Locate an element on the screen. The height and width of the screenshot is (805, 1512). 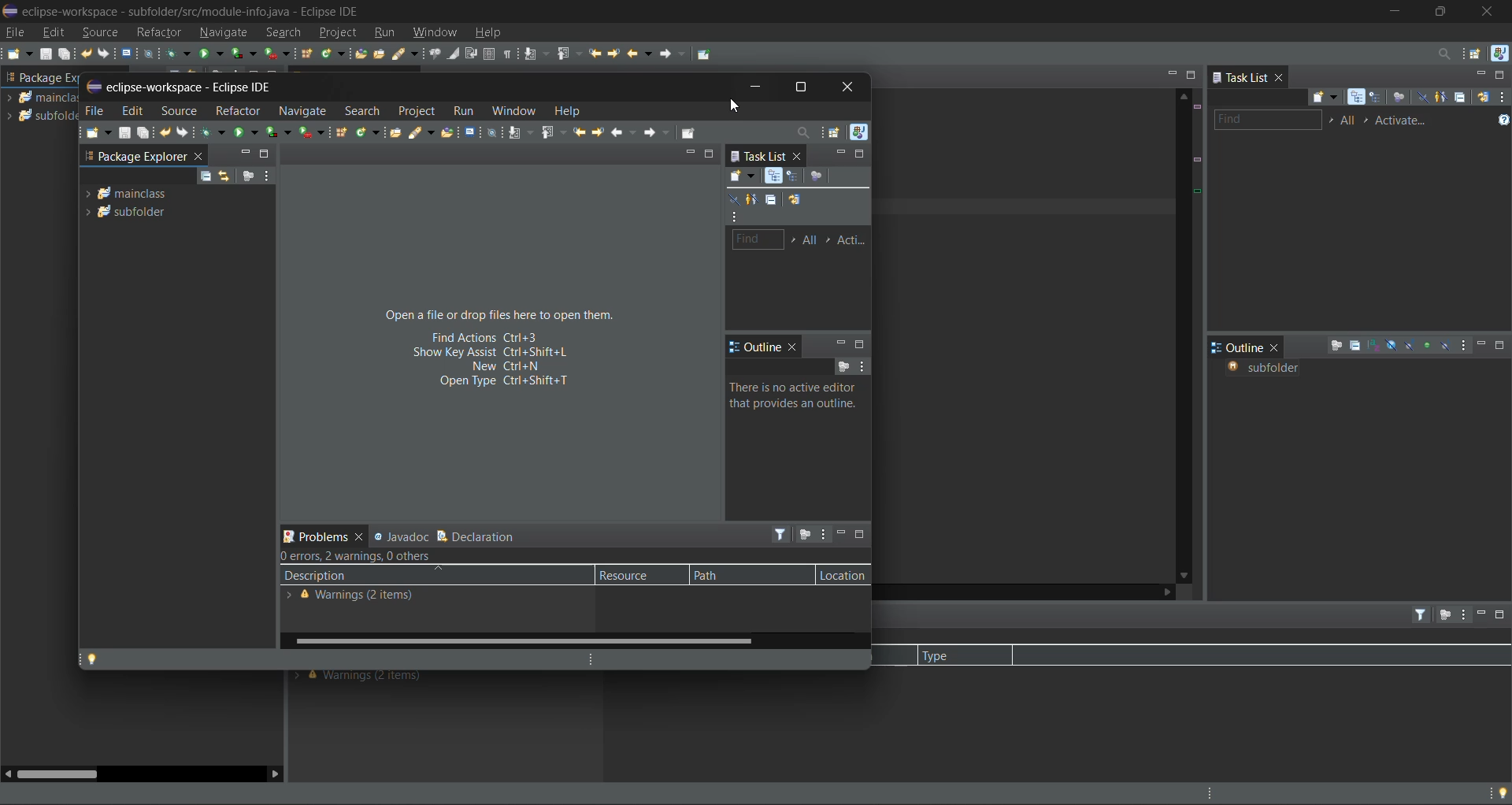
open task is located at coordinates (380, 55).